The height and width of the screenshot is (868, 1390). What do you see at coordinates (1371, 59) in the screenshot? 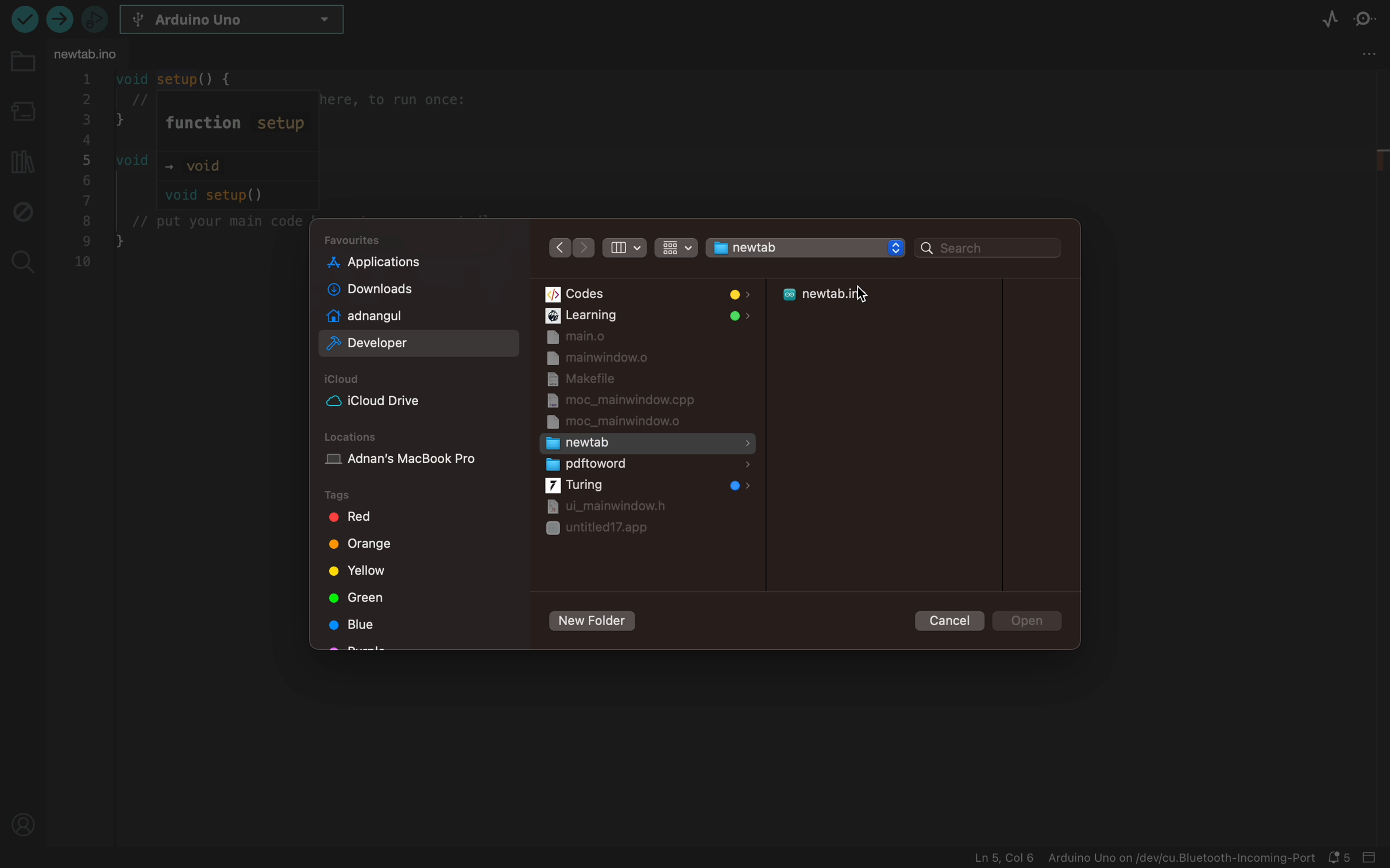
I see `setting` at bounding box center [1371, 59].